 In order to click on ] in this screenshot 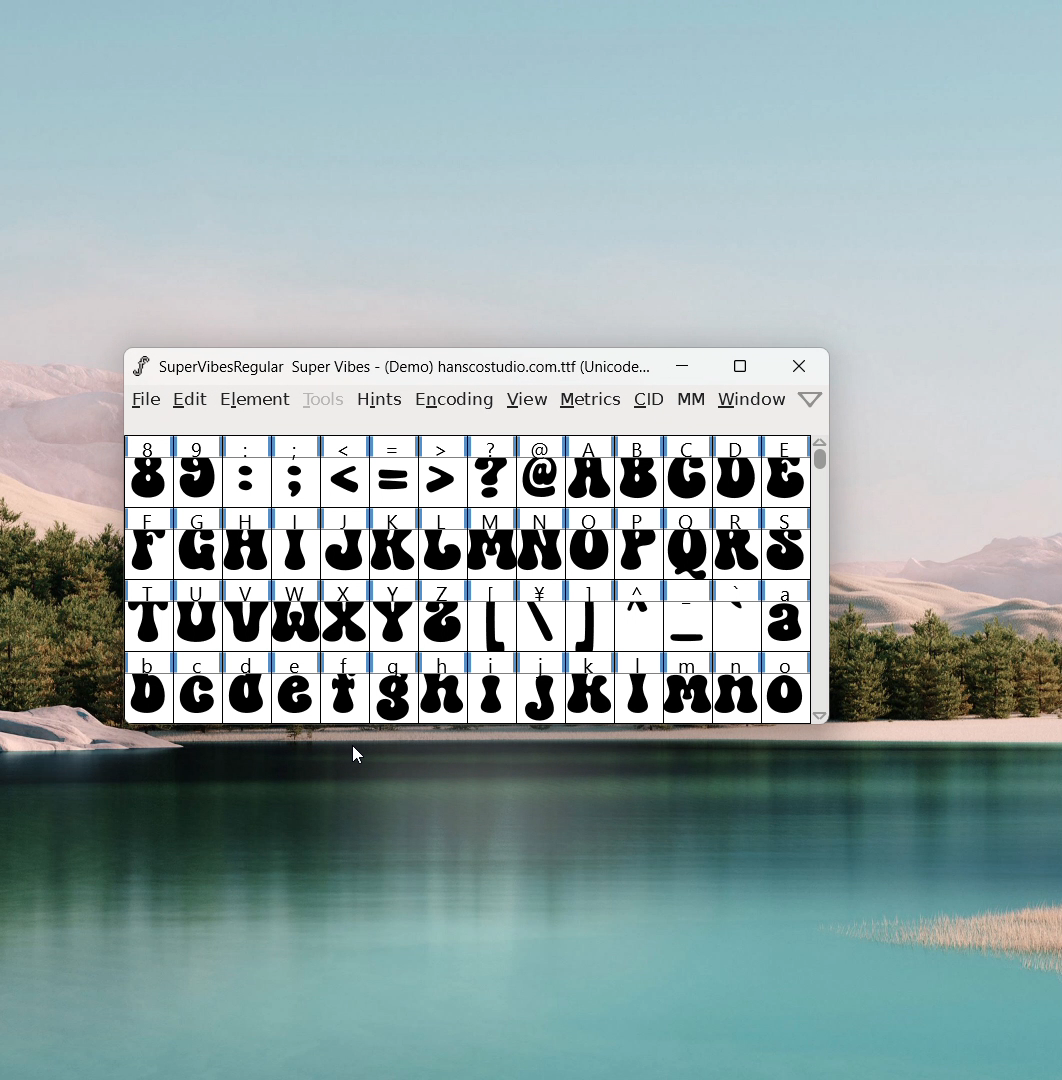, I will do `click(590, 615)`.